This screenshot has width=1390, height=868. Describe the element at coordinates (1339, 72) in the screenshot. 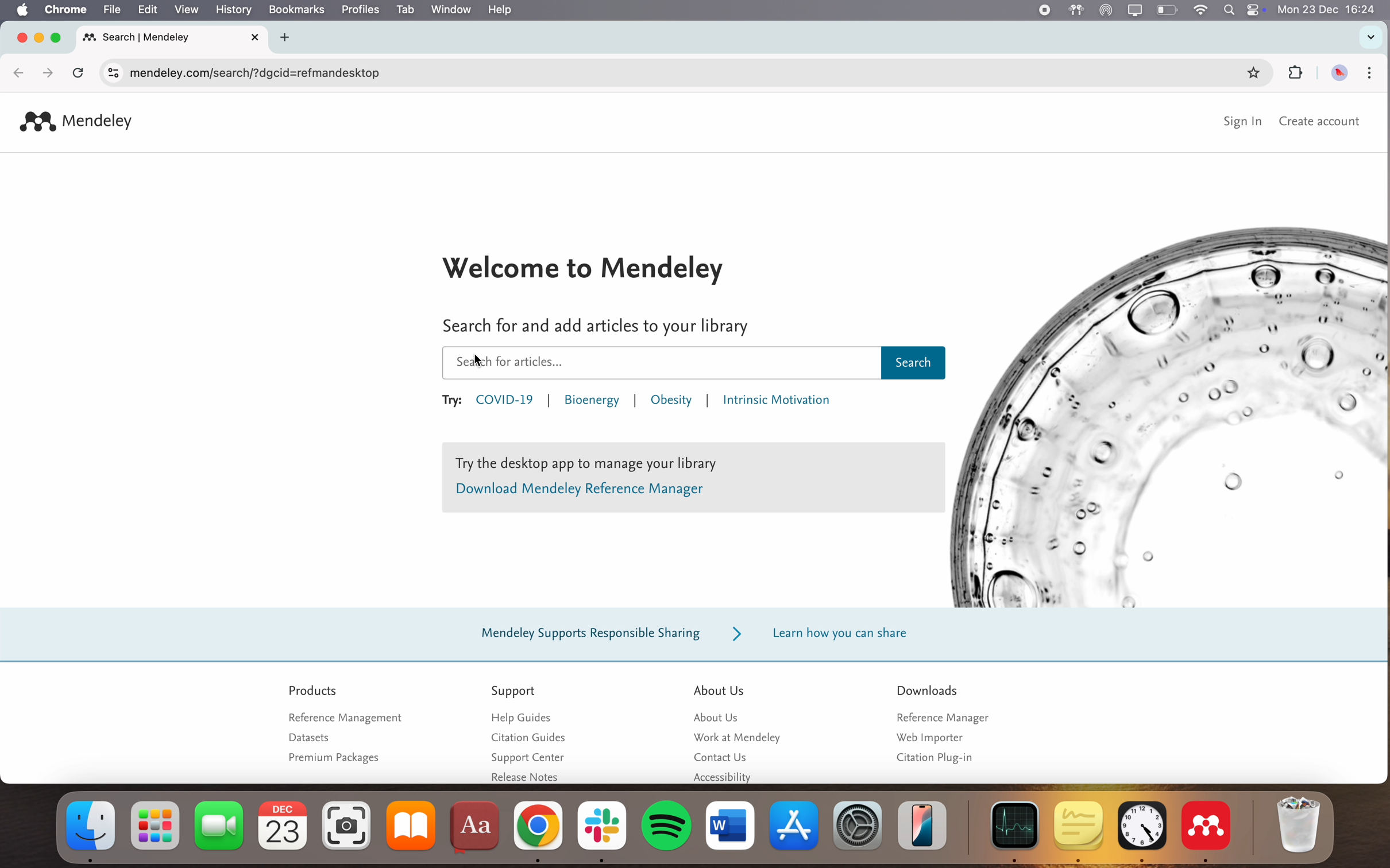

I see `profile picture` at that location.